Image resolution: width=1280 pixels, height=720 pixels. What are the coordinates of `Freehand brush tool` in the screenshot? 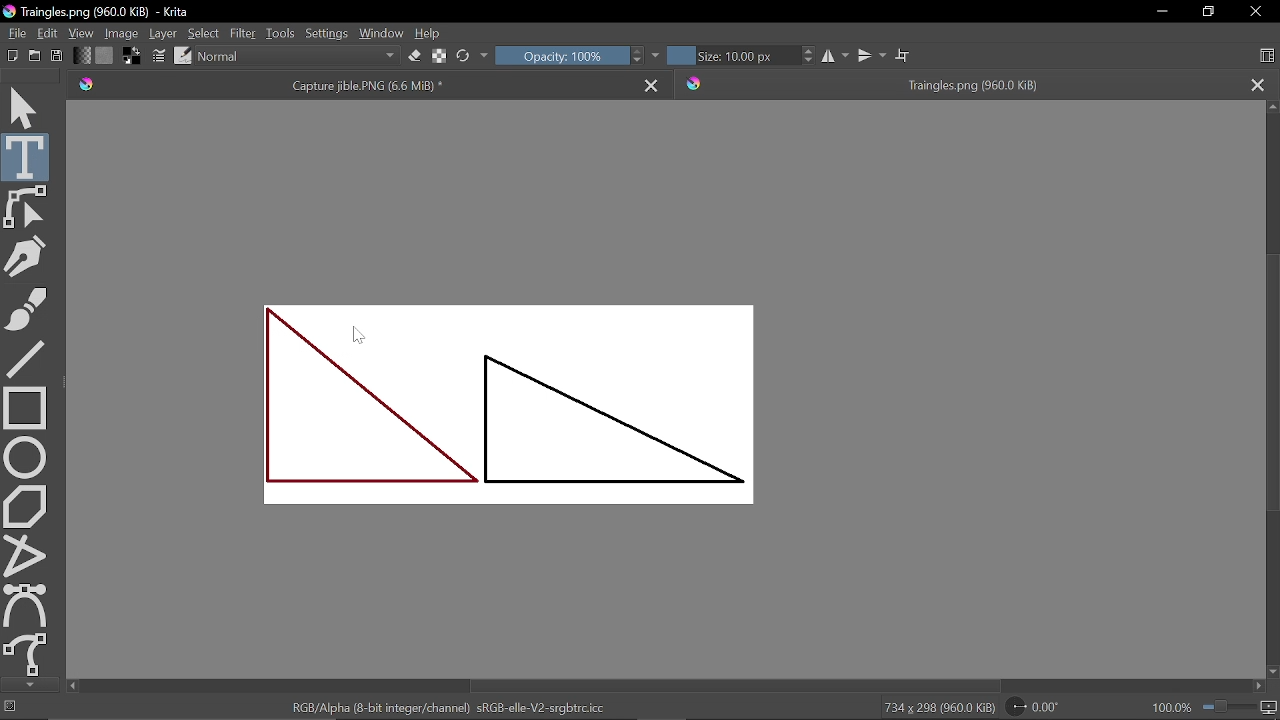 It's located at (26, 306).